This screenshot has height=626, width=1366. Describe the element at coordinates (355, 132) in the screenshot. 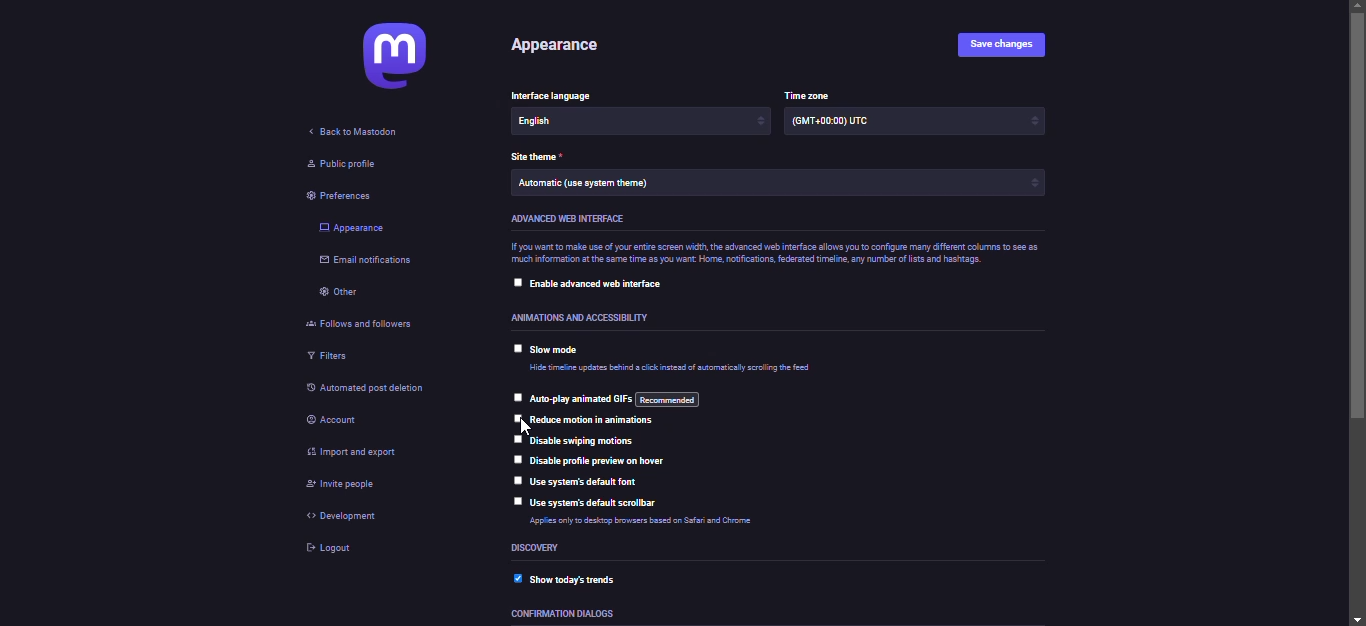

I see `back to mastodon` at that location.